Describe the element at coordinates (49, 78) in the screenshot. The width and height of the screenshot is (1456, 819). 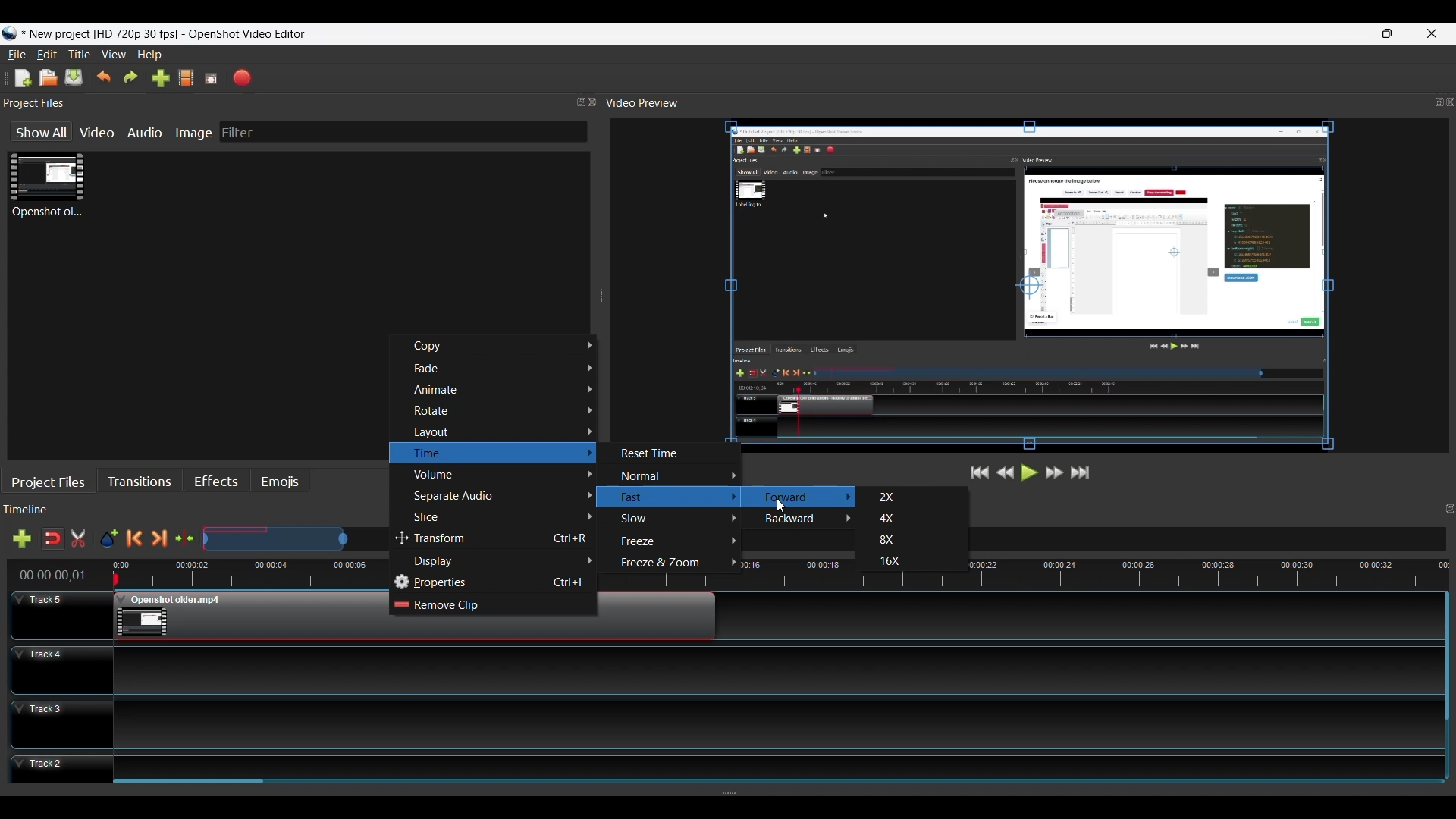
I see `Open File` at that location.